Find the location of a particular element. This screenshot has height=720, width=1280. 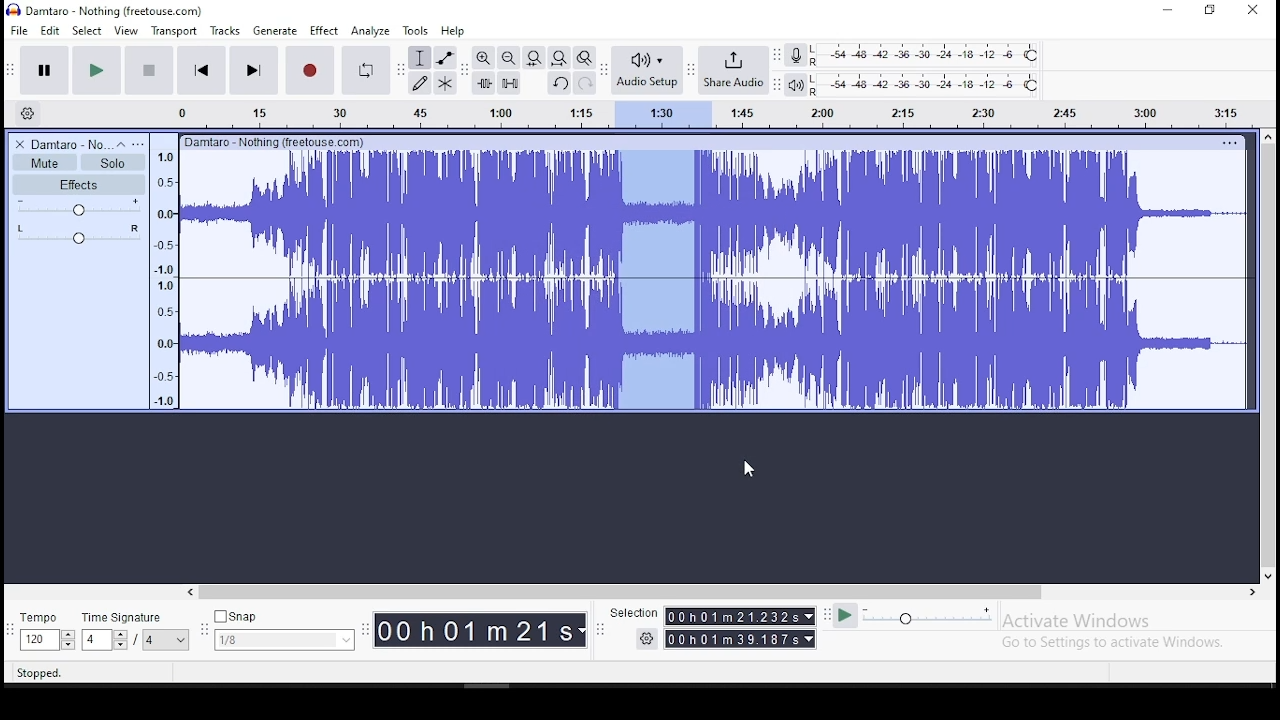

record meter is located at coordinates (796, 54).